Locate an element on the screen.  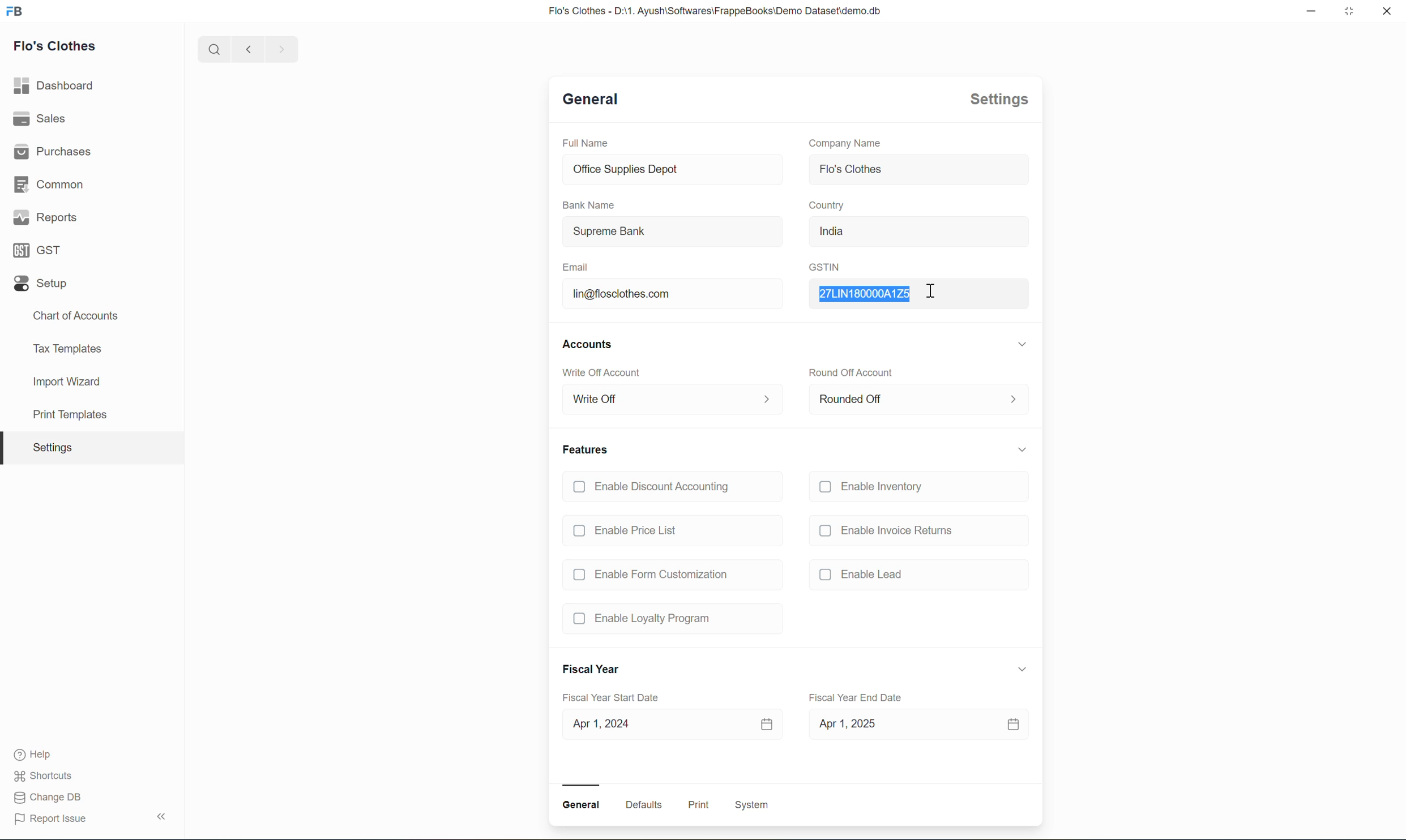
Fiscal Year is located at coordinates (591, 668).